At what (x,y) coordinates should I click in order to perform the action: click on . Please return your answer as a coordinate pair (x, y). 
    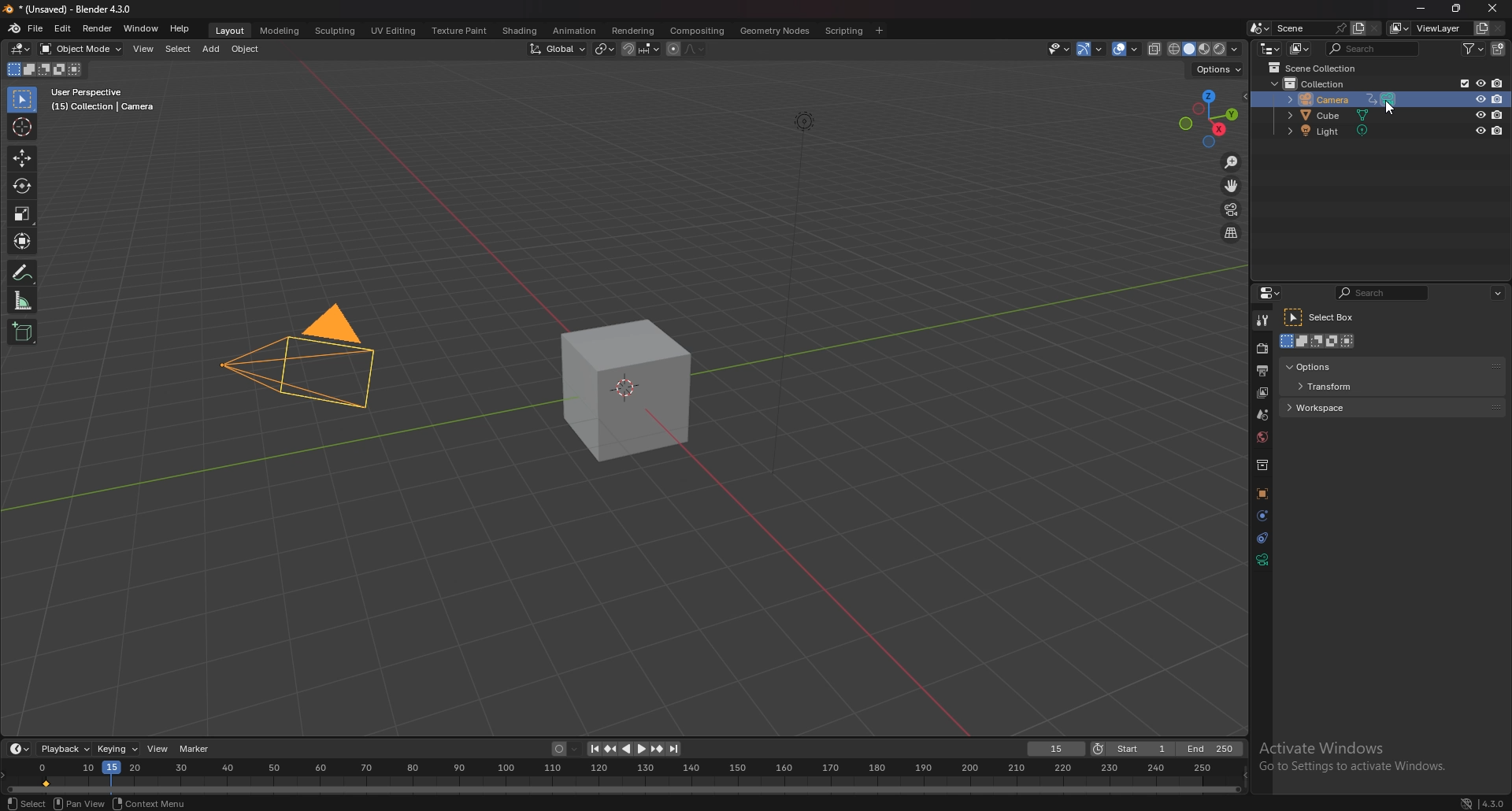
    Looking at the image, I should click on (1363, 757).